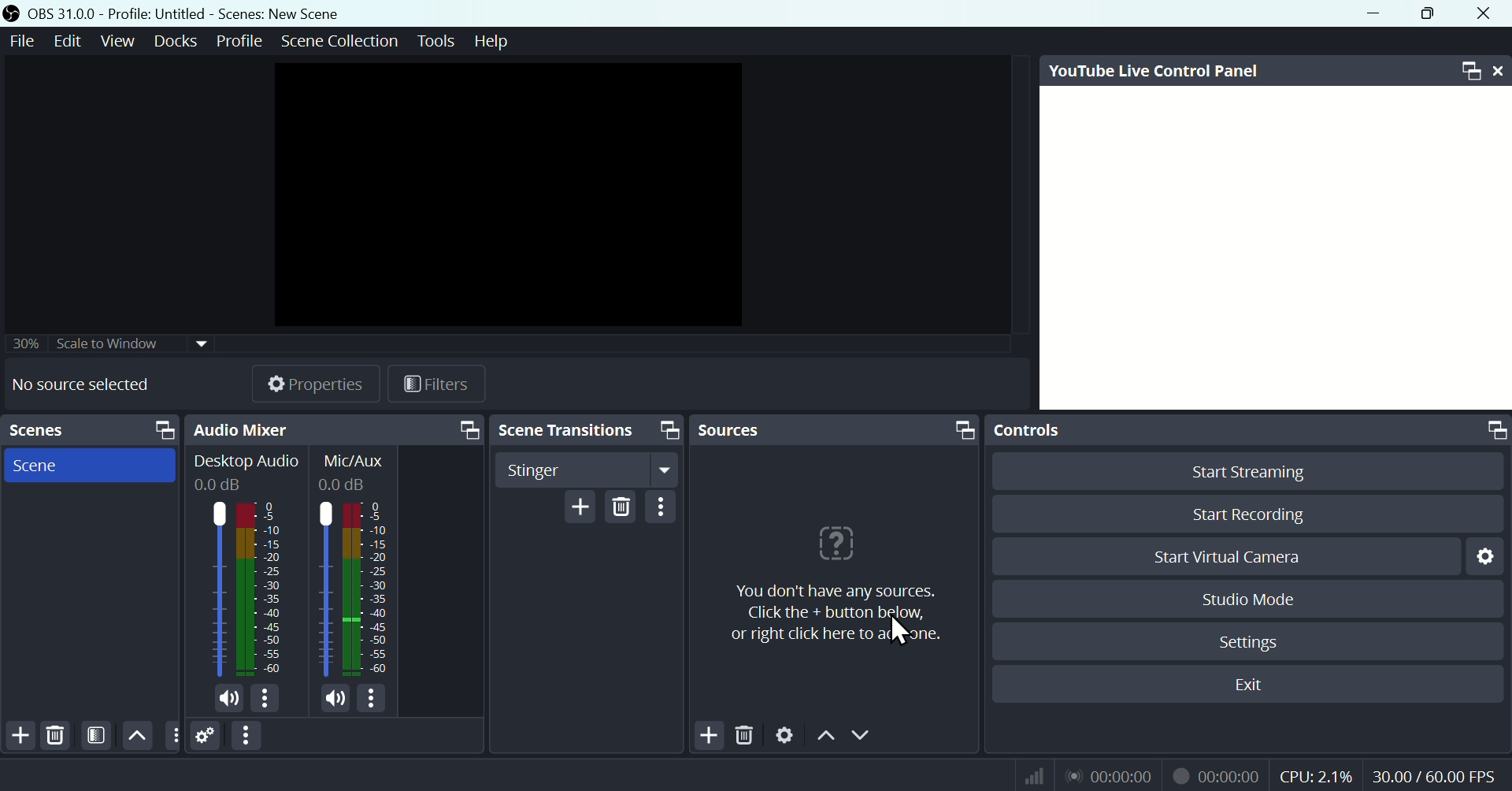  I want to click on Exit, so click(1247, 685).